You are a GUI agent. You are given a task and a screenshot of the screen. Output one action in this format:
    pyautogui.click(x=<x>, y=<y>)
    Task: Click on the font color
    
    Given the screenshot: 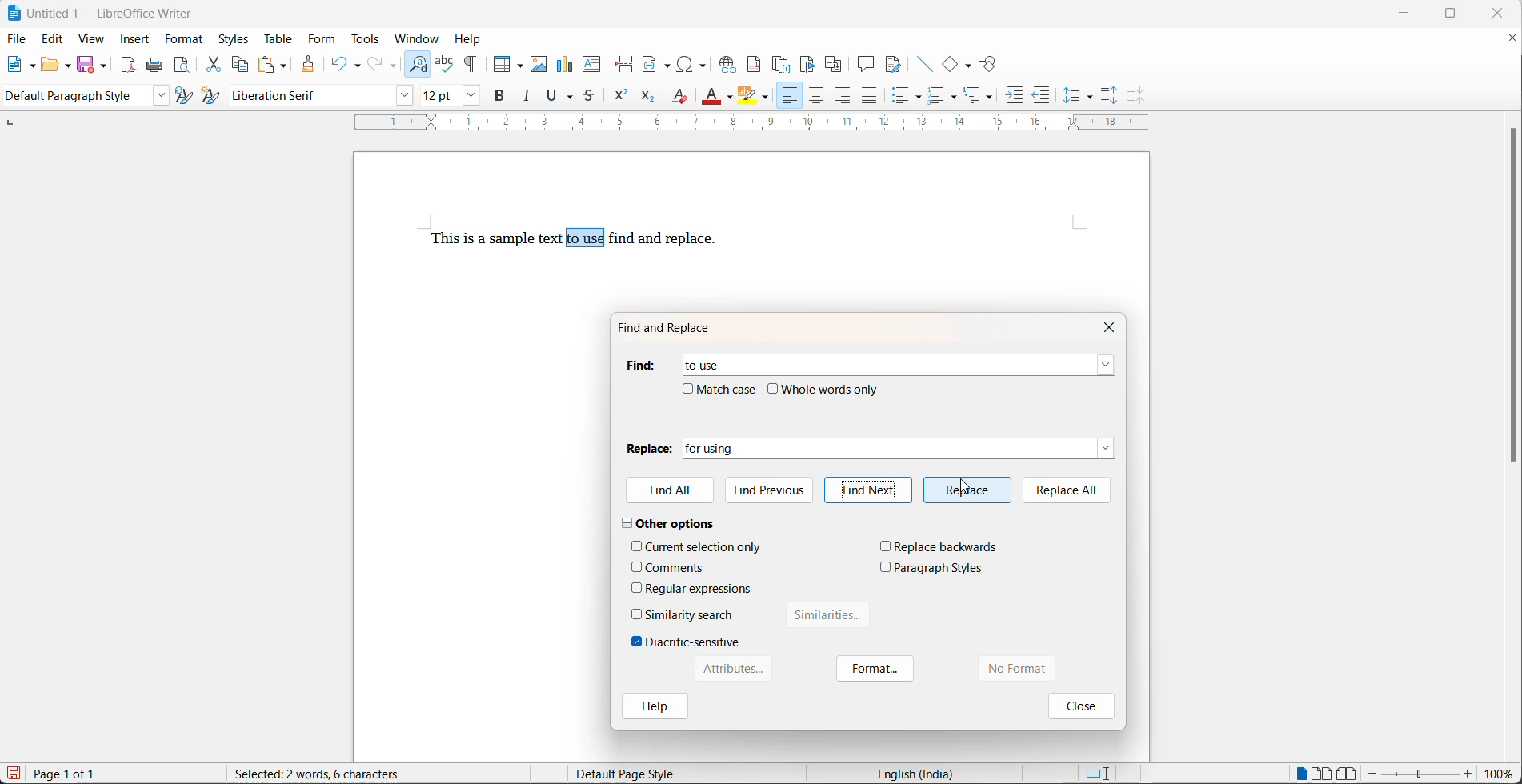 What is the action you would take?
    pyautogui.click(x=730, y=98)
    